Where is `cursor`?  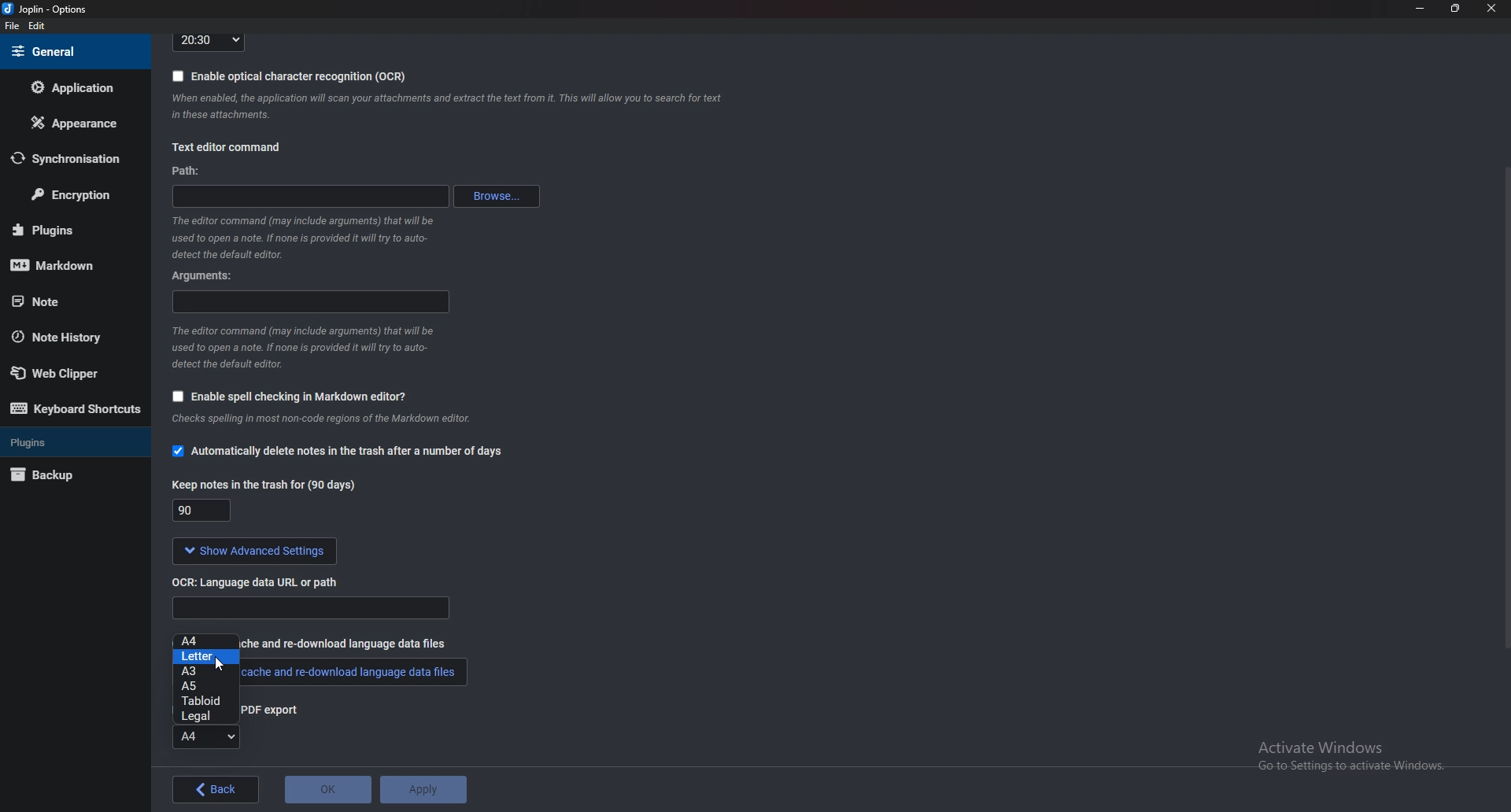
cursor is located at coordinates (220, 663).